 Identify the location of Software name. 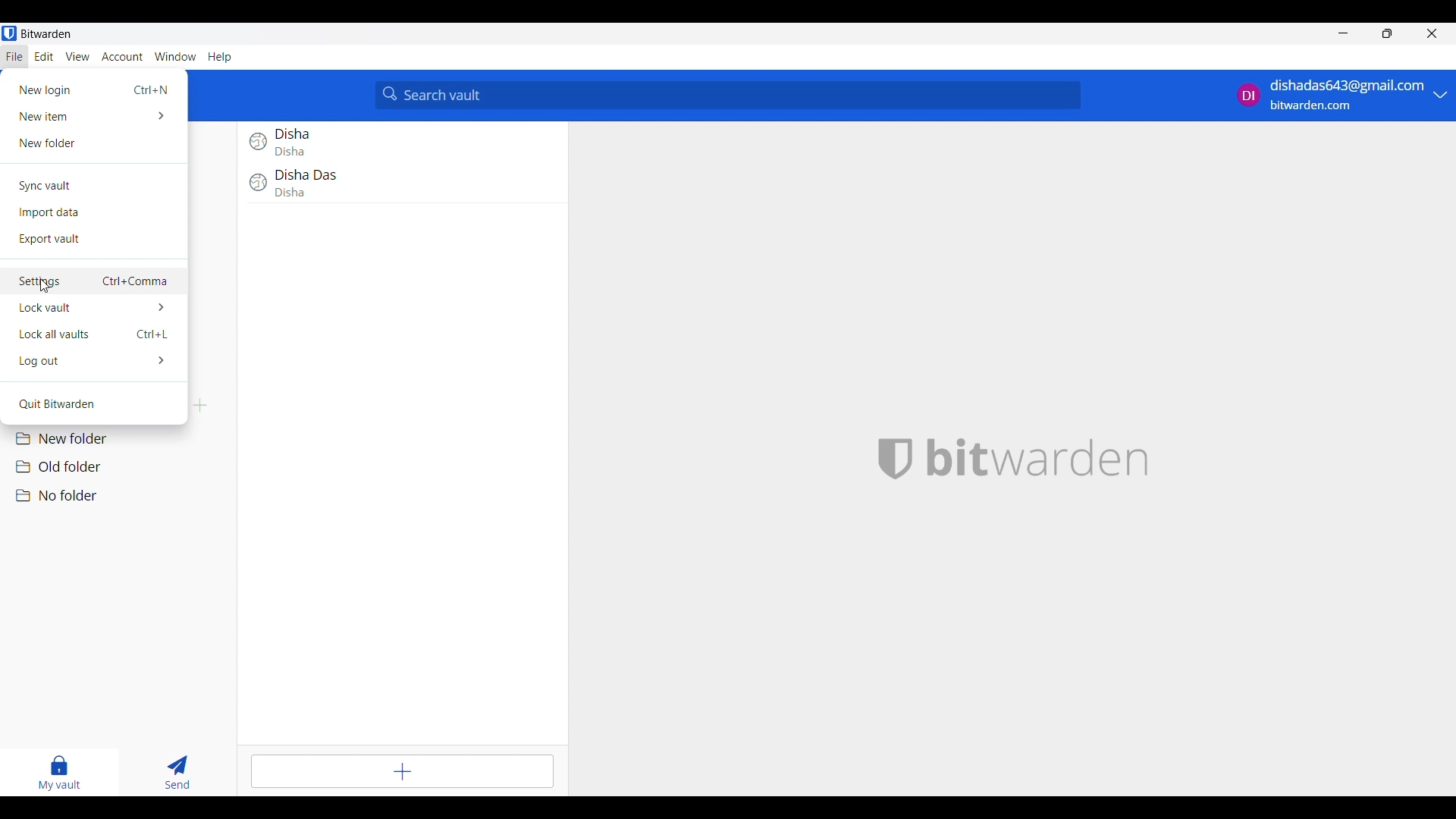
(46, 34).